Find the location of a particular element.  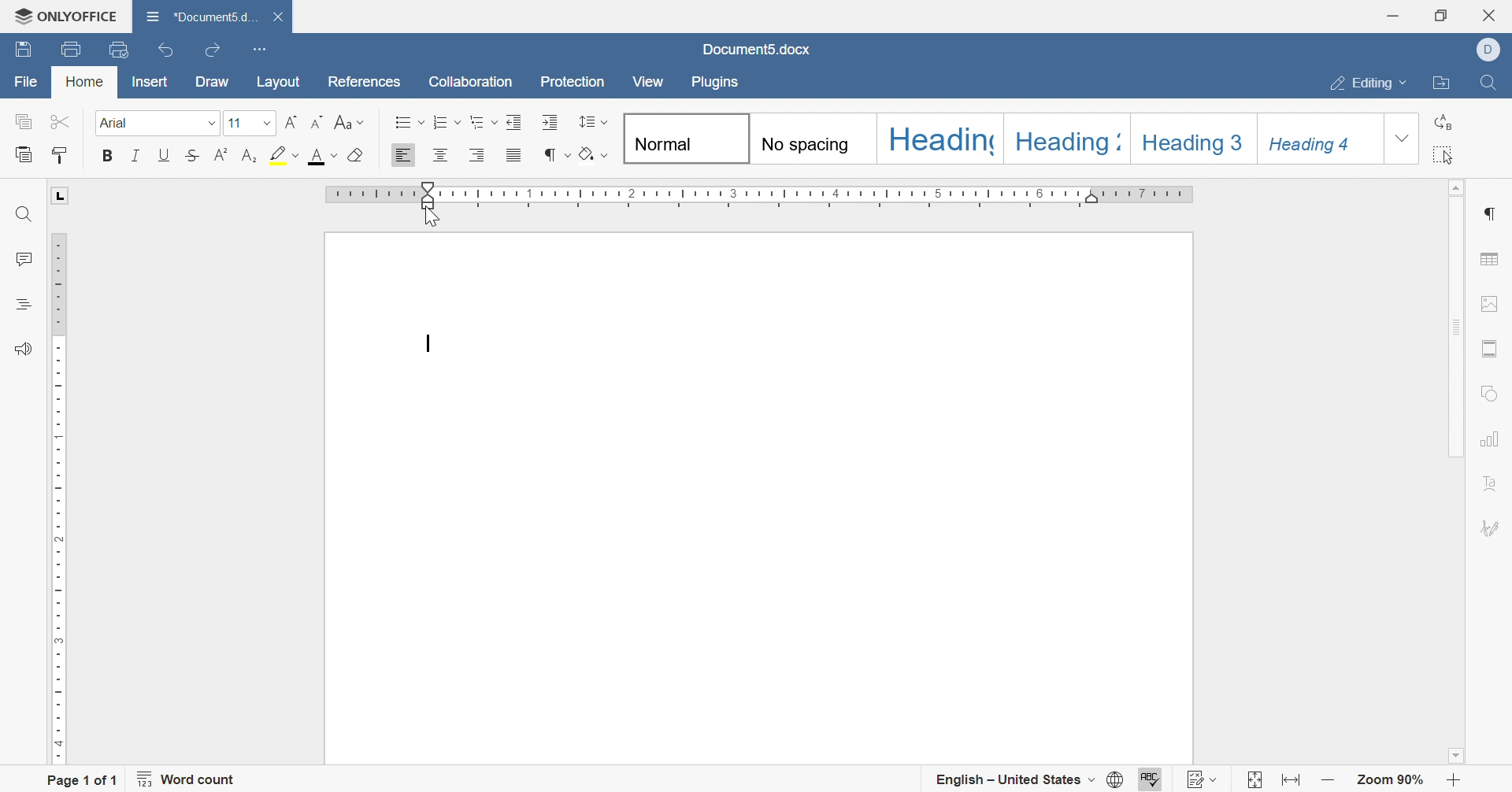

L is located at coordinates (61, 196).